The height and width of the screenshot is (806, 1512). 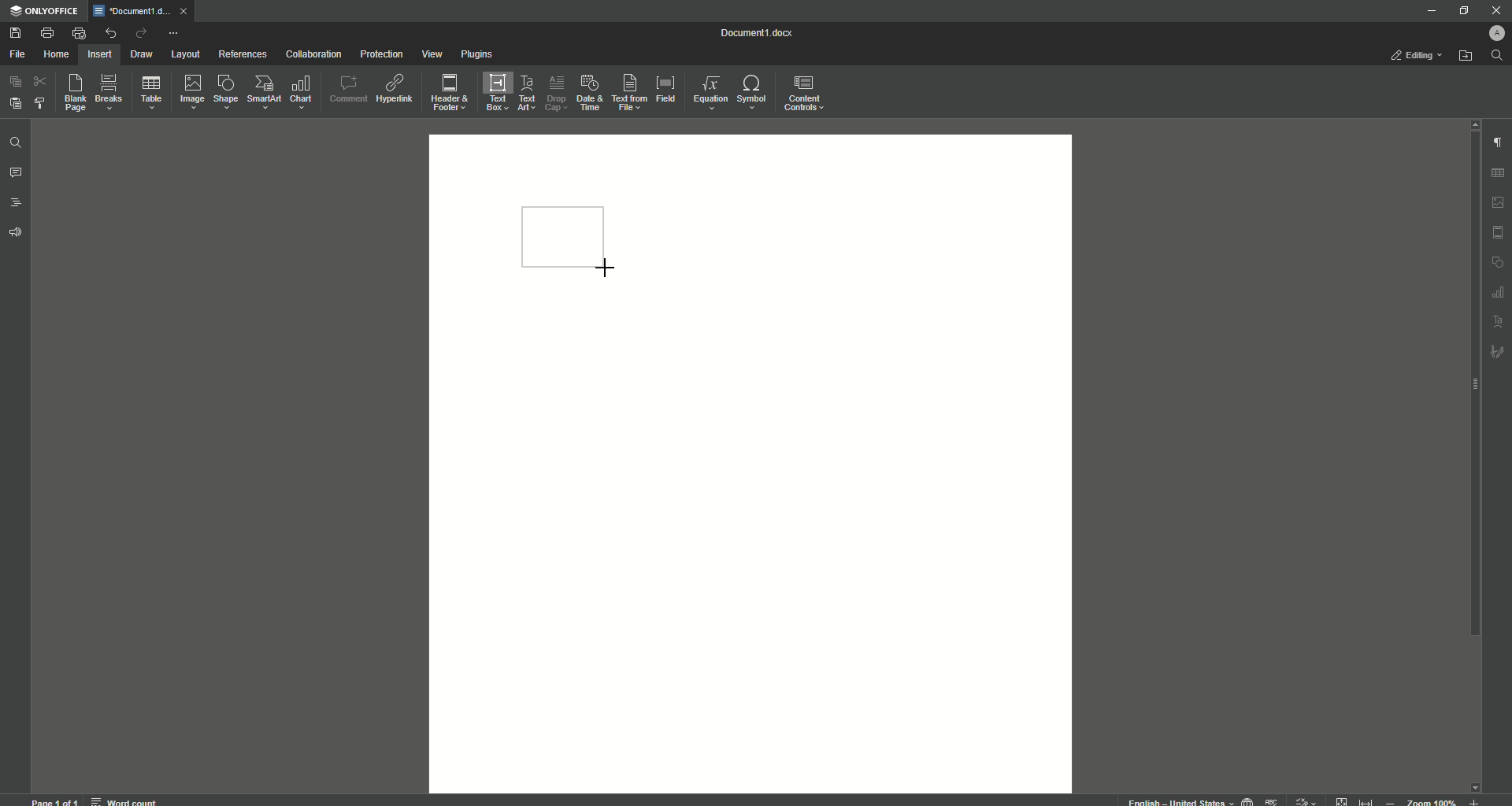 What do you see at coordinates (806, 95) in the screenshot?
I see `Content Controls` at bounding box center [806, 95].